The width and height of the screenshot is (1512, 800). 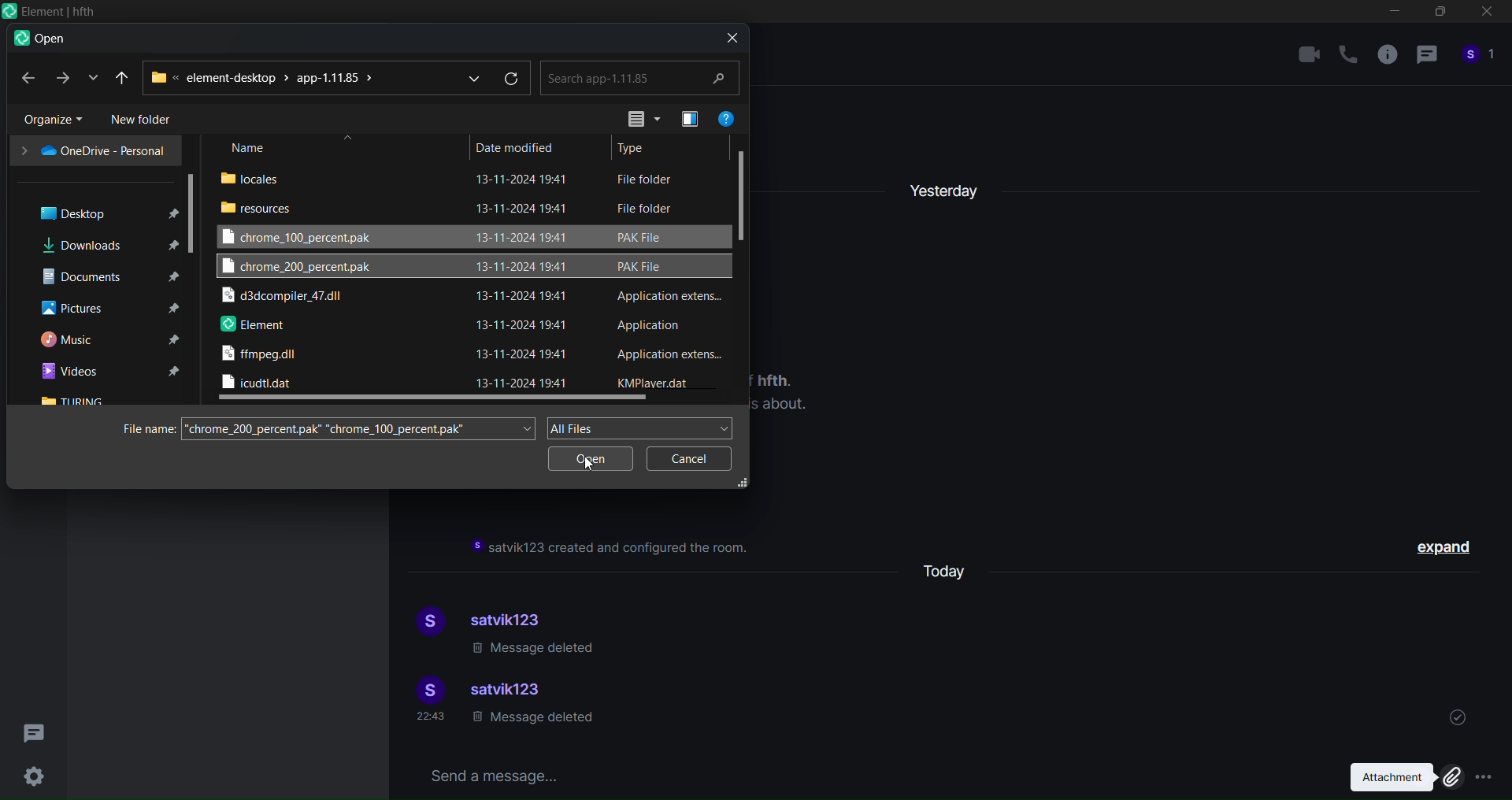 What do you see at coordinates (1447, 550) in the screenshot?
I see `expand` at bounding box center [1447, 550].